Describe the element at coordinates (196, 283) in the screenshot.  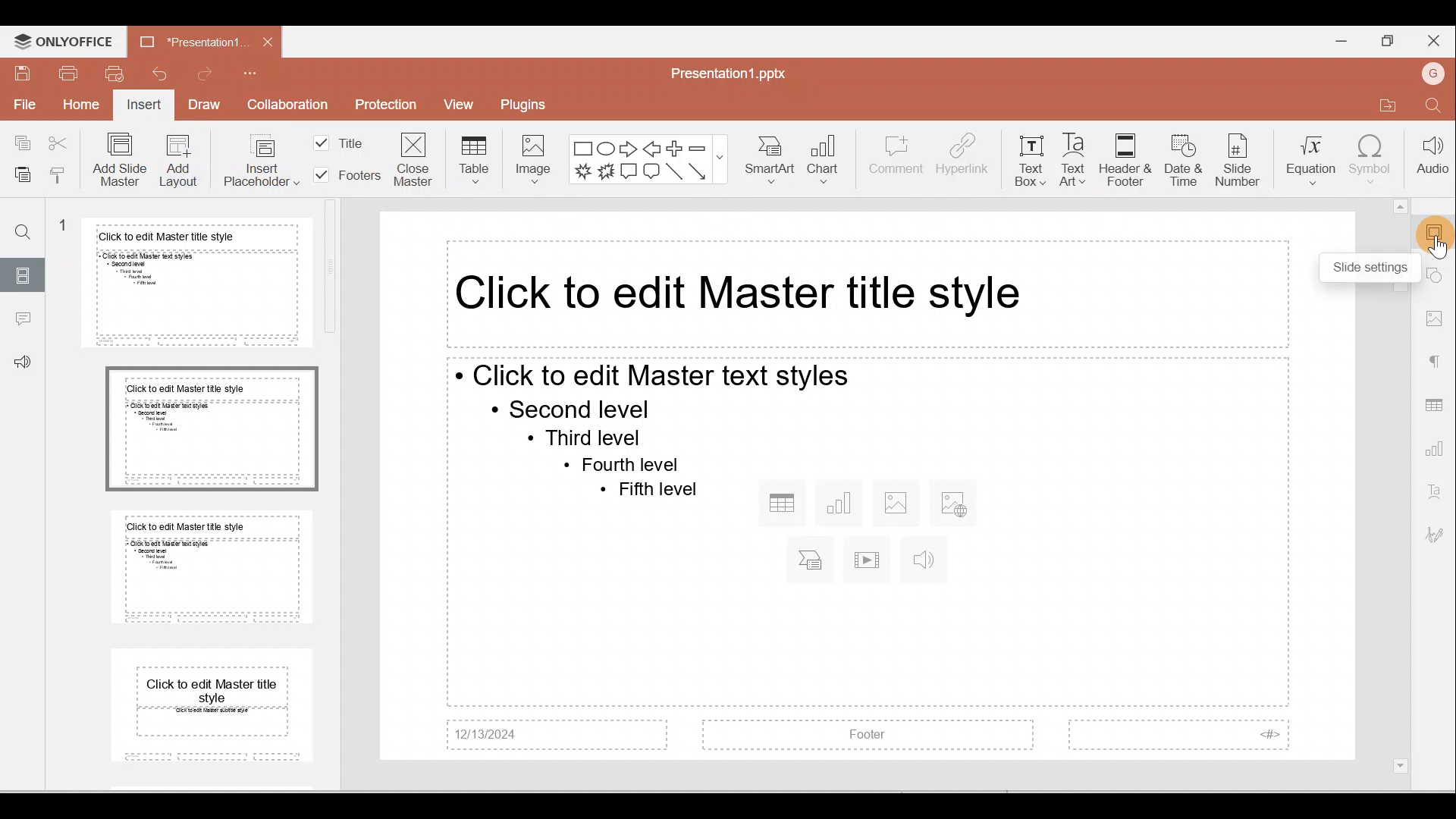
I see `Master slide 1` at that location.